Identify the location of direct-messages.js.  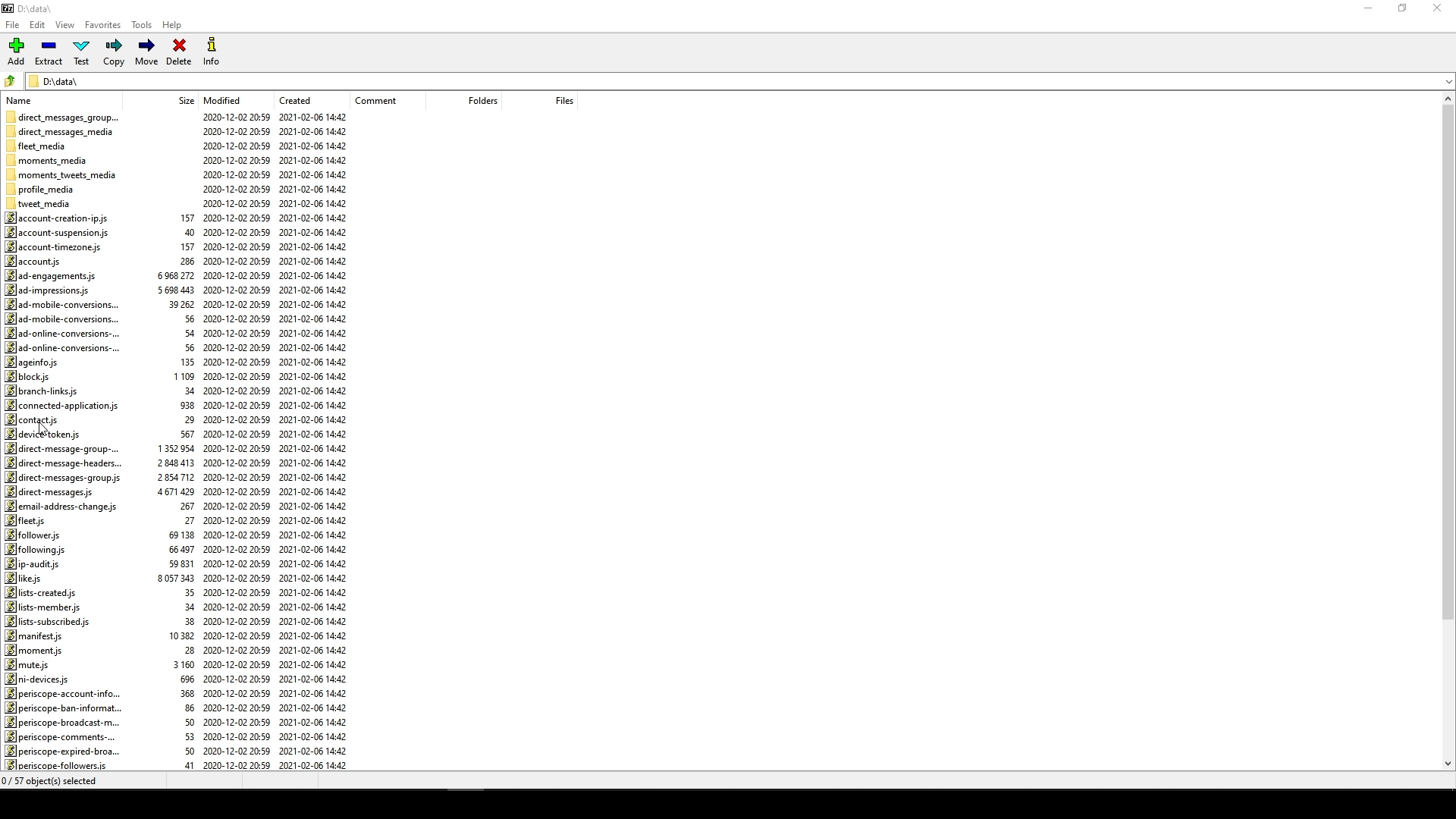
(52, 492).